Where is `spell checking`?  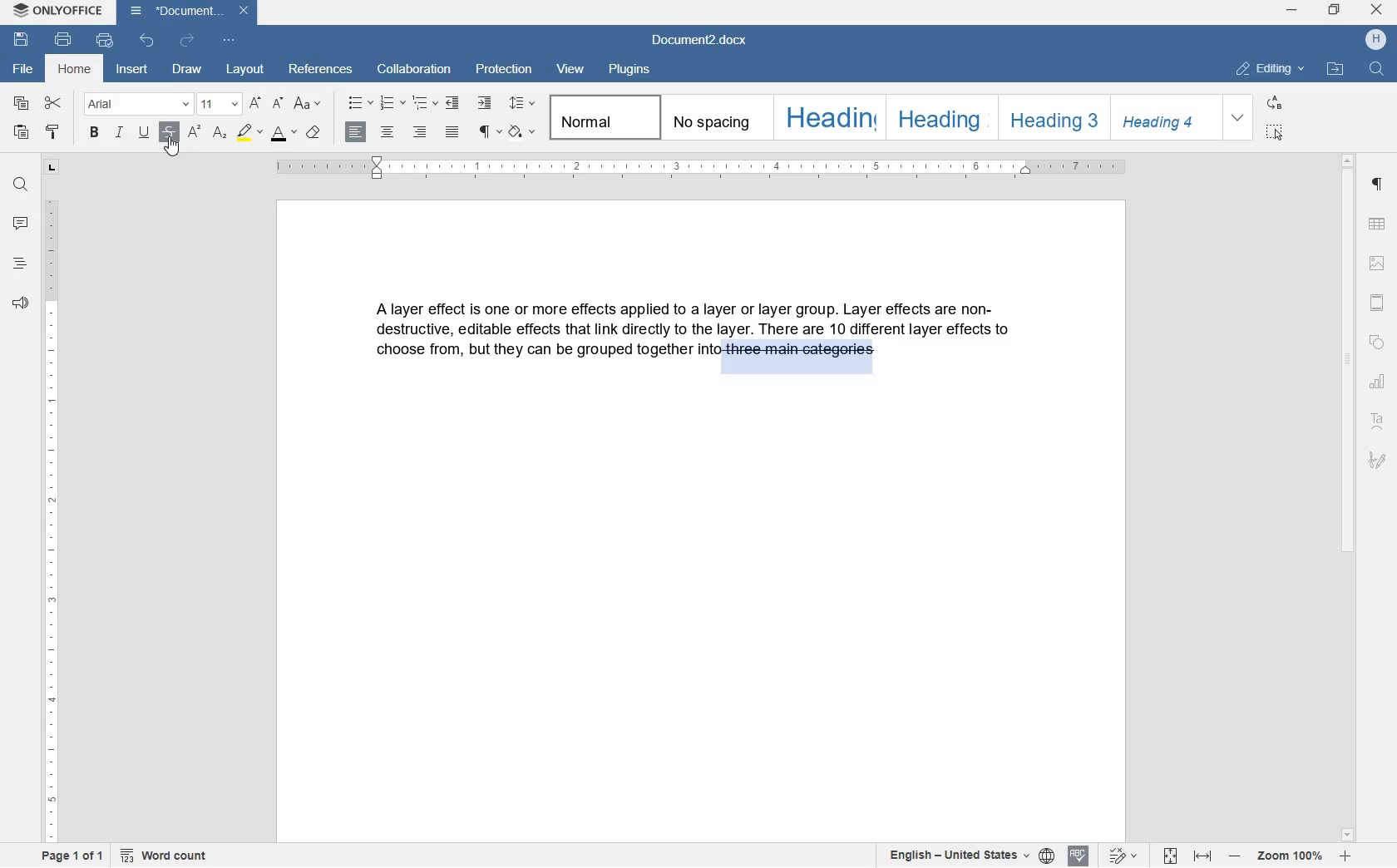
spell checking is located at coordinates (1079, 855).